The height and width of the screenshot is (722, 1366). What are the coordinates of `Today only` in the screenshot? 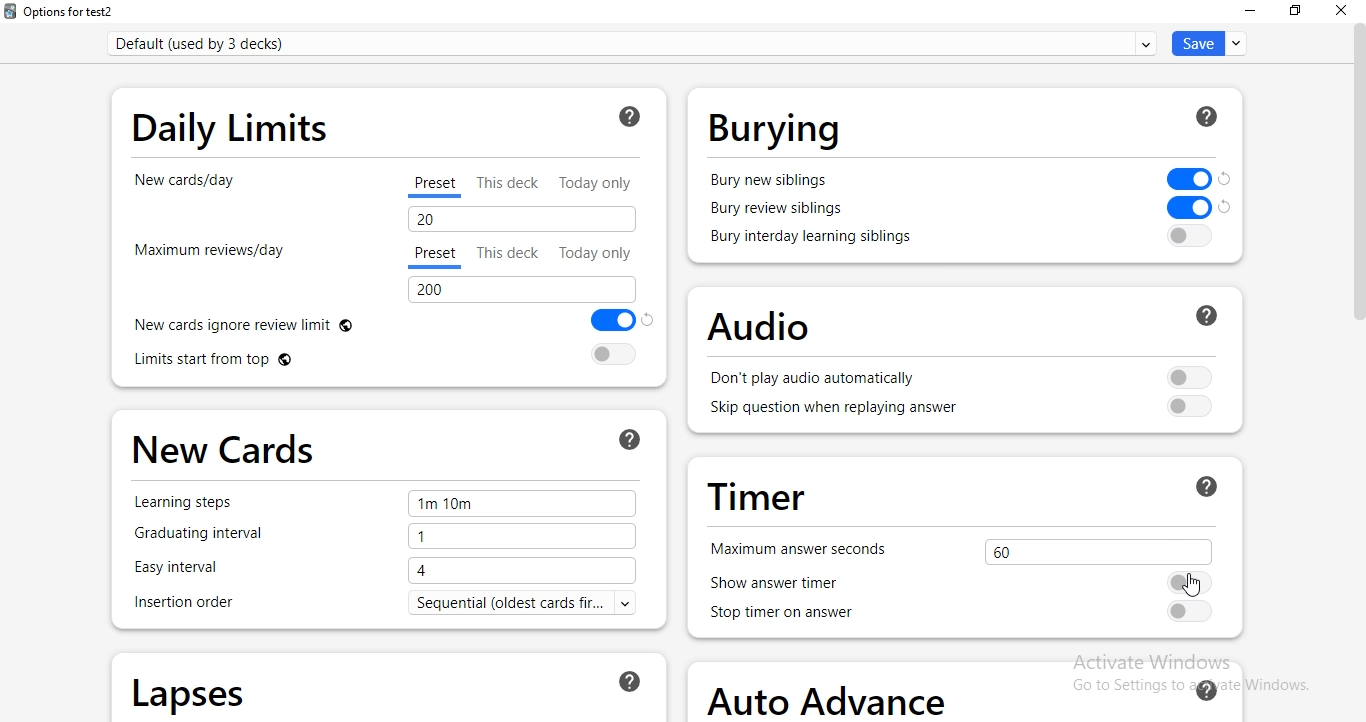 It's located at (599, 252).